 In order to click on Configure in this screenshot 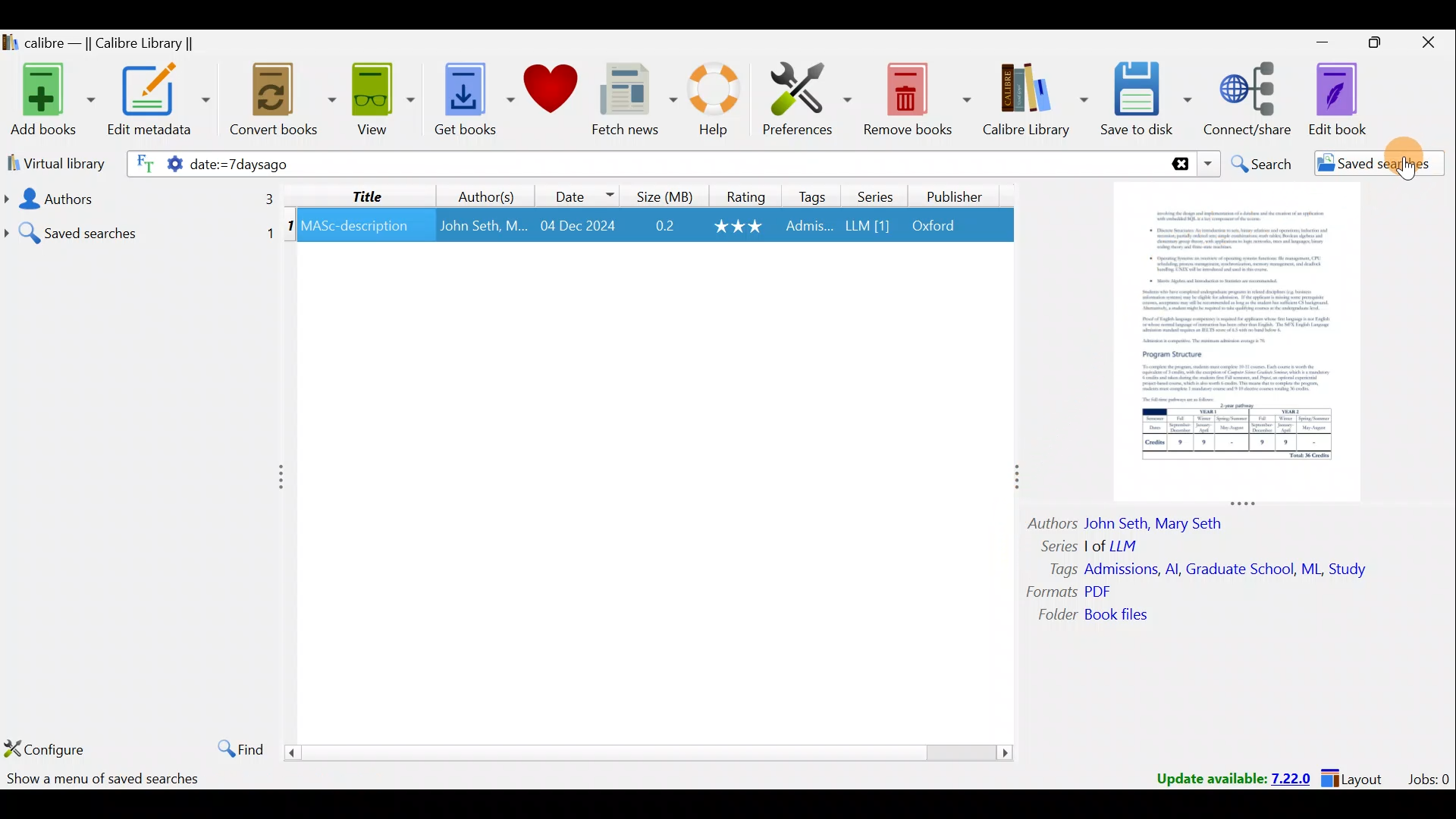, I will do `click(45, 746)`.